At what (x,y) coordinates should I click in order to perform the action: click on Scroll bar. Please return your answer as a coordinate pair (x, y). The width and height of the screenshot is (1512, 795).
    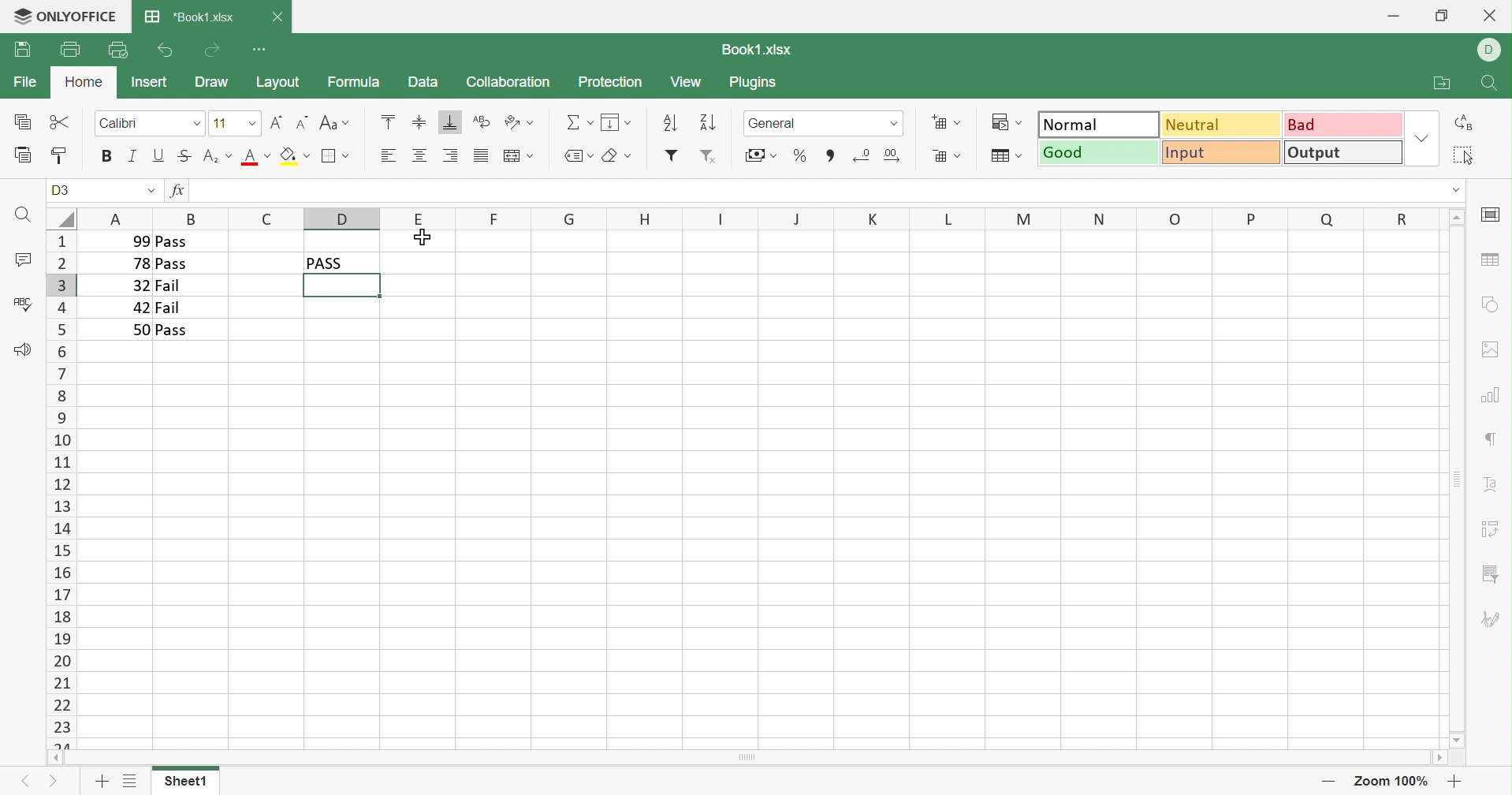
    Looking at the image, I should click on (747, 759).